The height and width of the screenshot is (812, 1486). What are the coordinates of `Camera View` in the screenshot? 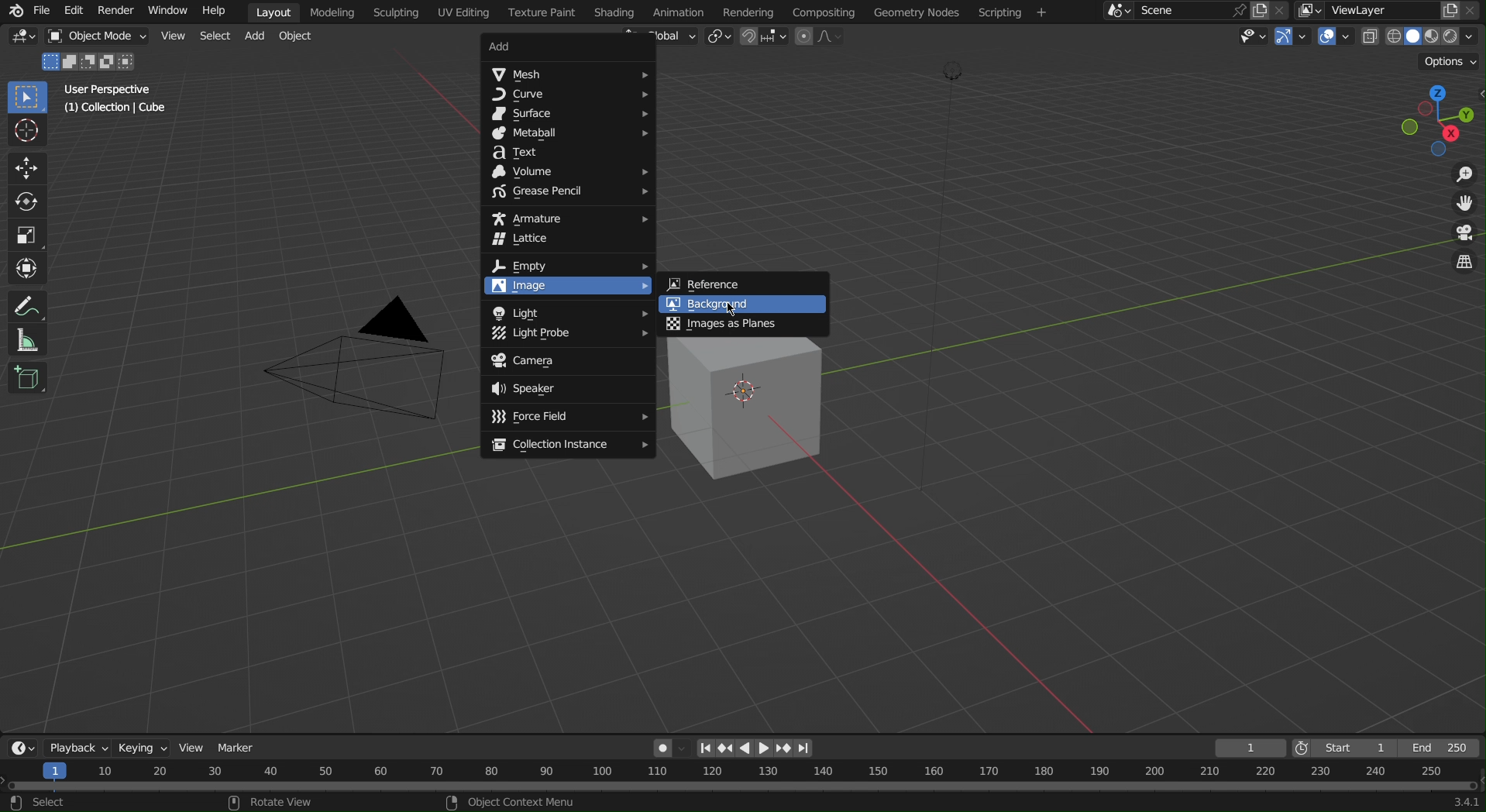 It's located at (1464, 235).